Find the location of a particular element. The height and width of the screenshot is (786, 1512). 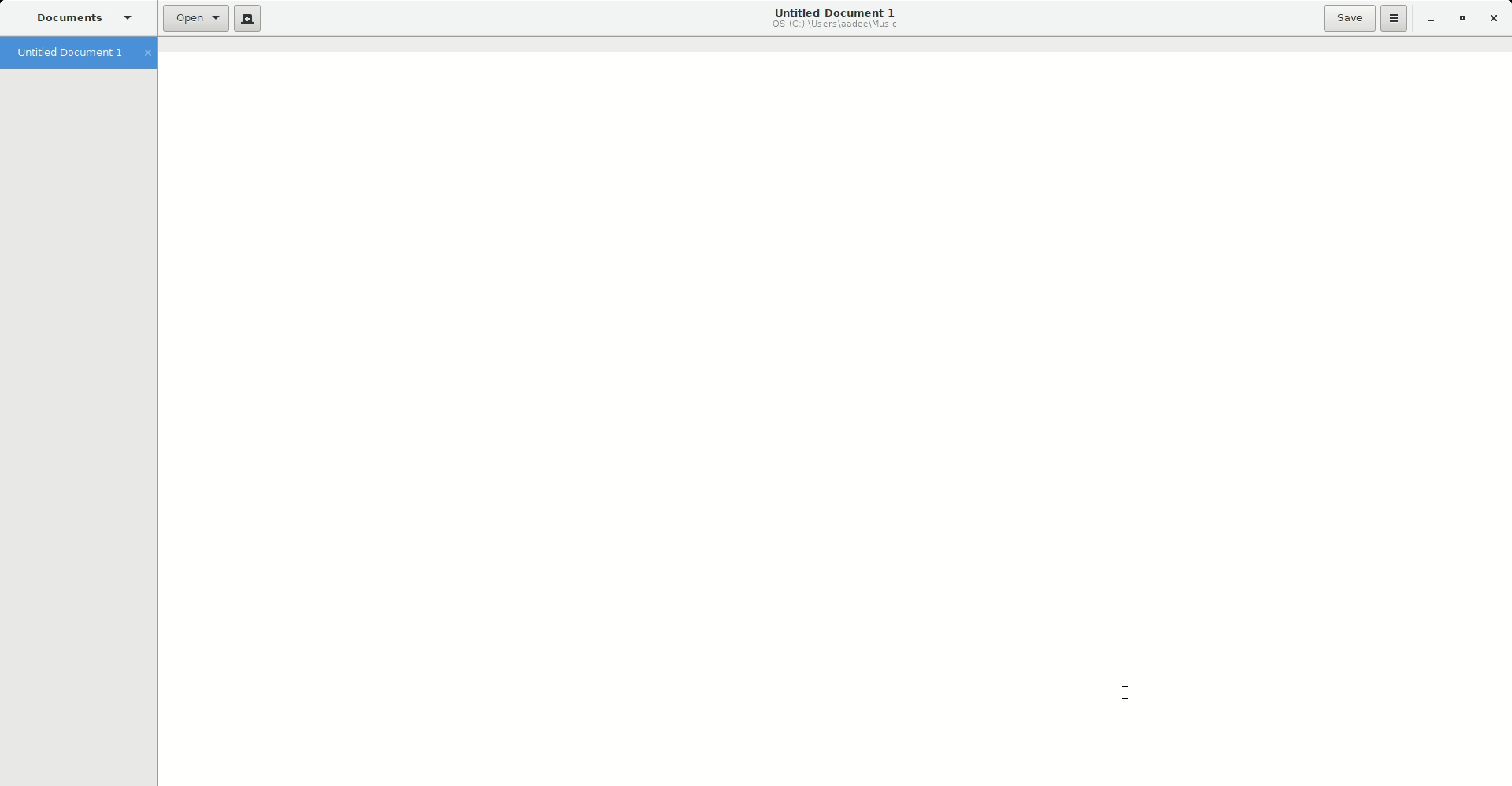

Save is located at coordinates (1347, 18).